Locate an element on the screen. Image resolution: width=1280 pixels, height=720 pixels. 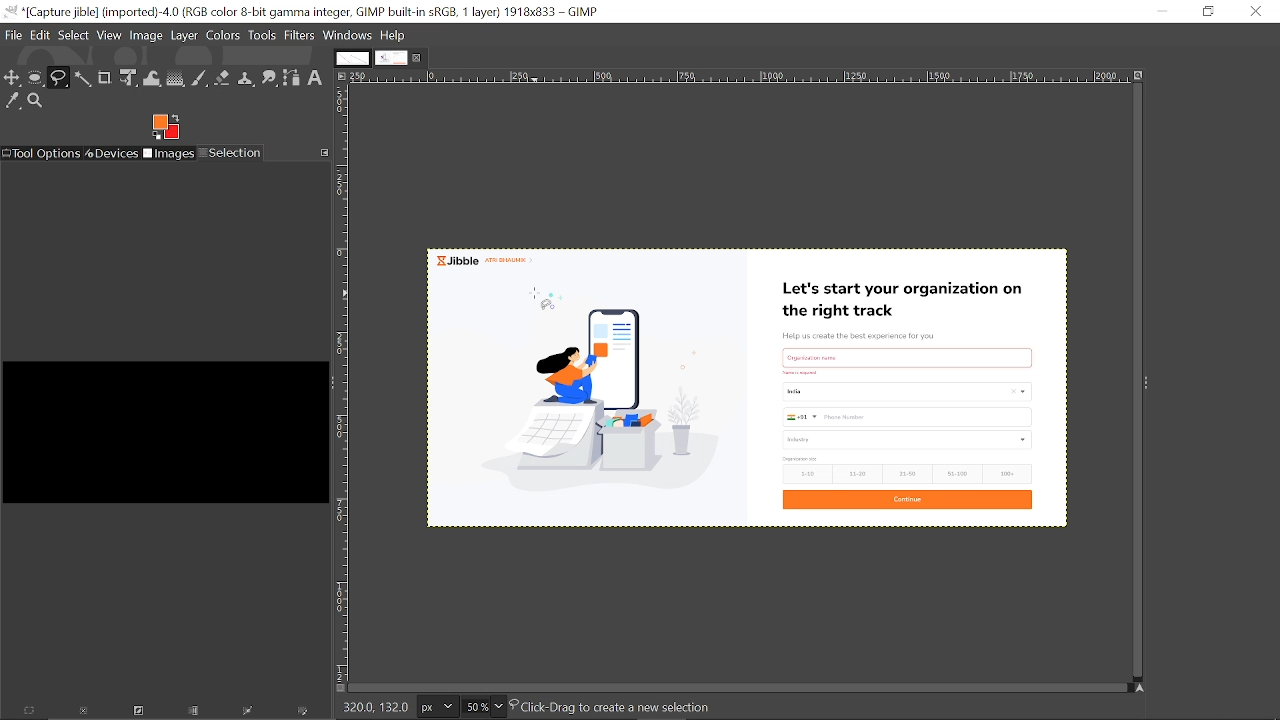
unified transform tool is located at coordinates (130, 79).